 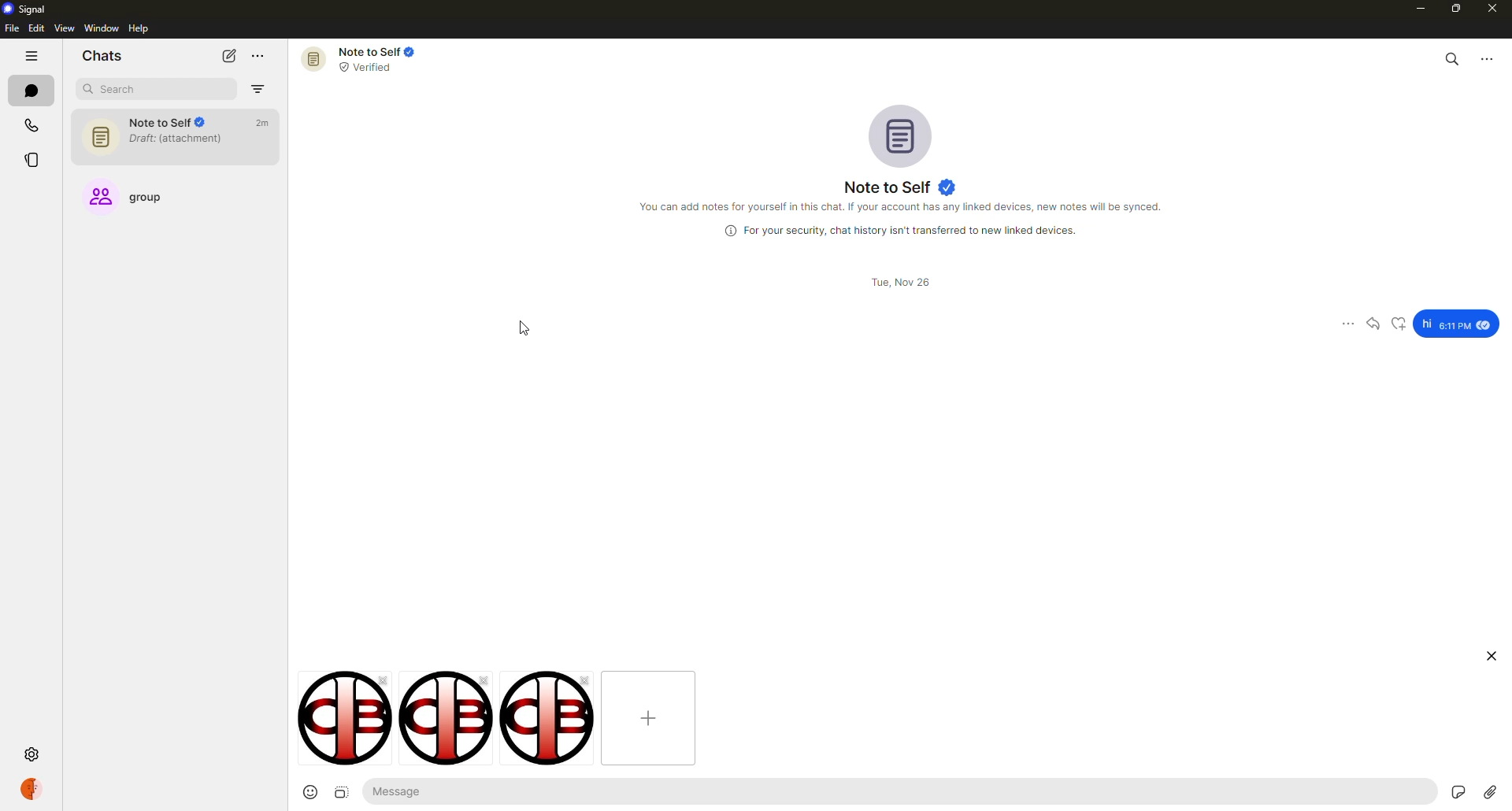 What do you see at coordinates (135, 87) in the screenshot?
I see `search` at bounding box center [135, 87].